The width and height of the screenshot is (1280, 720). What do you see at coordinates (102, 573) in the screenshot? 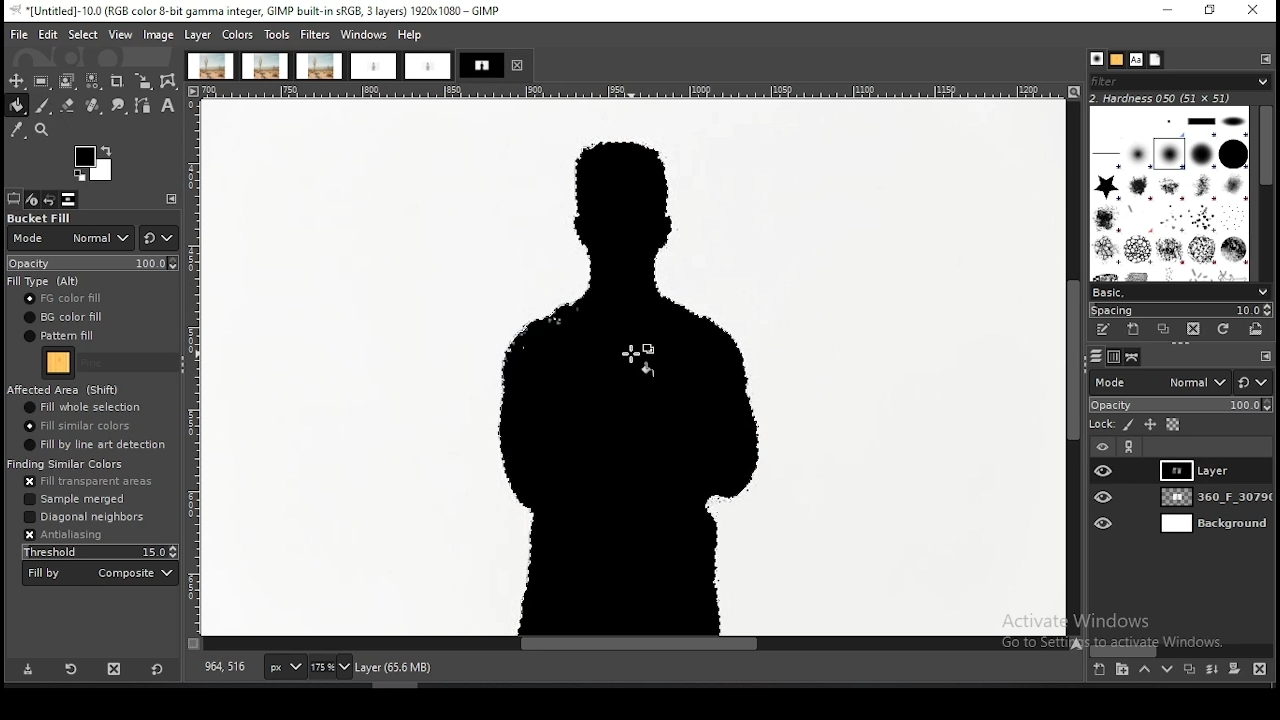
I see `fill by` at bounding box center [102, 573].